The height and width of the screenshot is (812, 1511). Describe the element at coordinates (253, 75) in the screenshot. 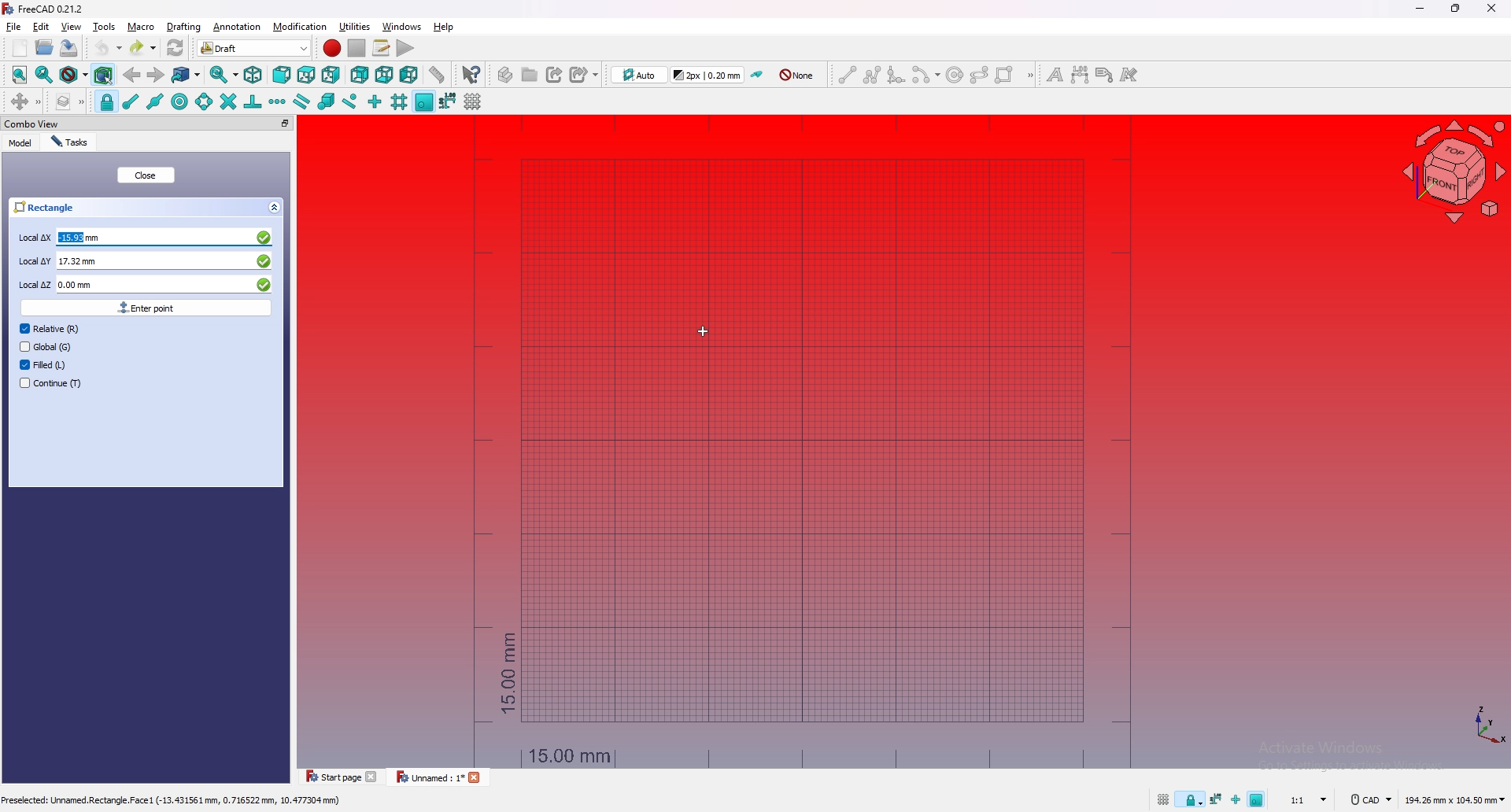

I see `isometric` at that location.